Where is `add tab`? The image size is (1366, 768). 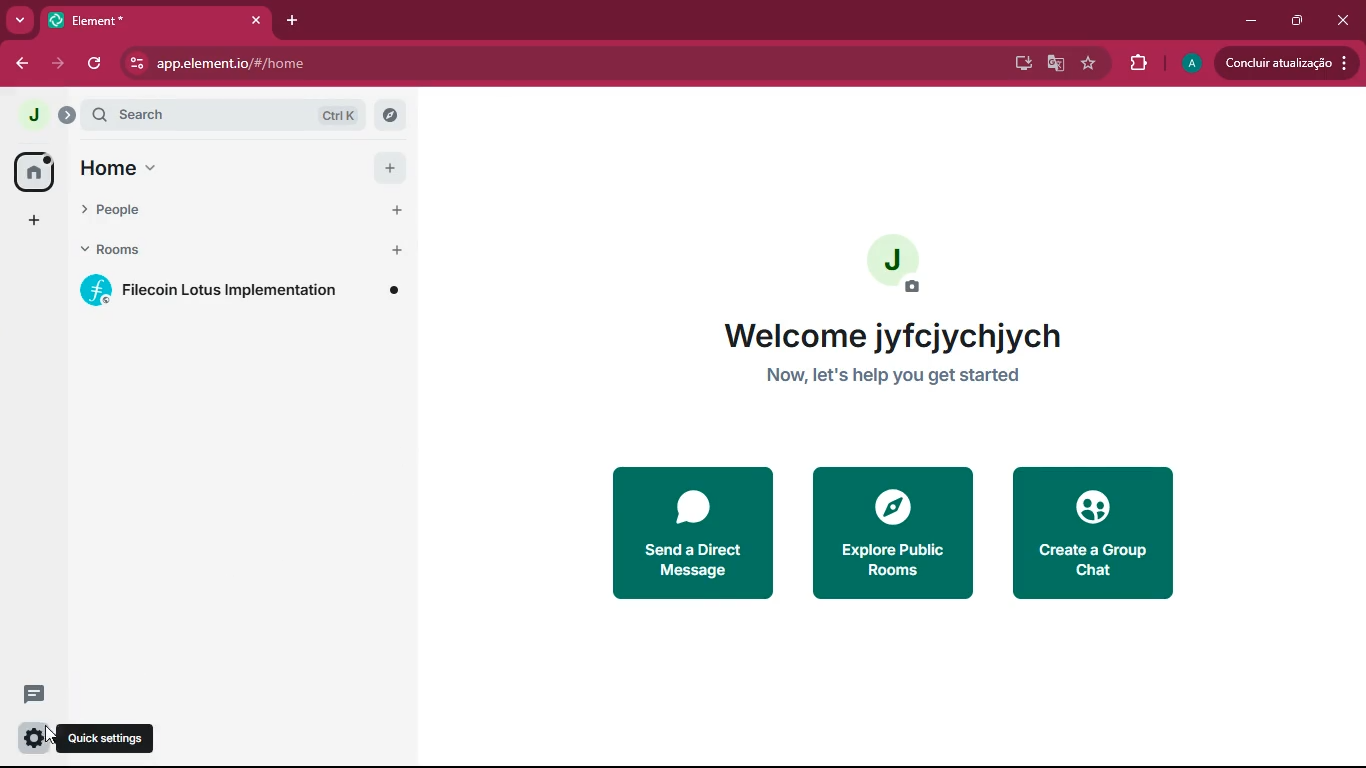
add tab is located at coordinates (291, 21).